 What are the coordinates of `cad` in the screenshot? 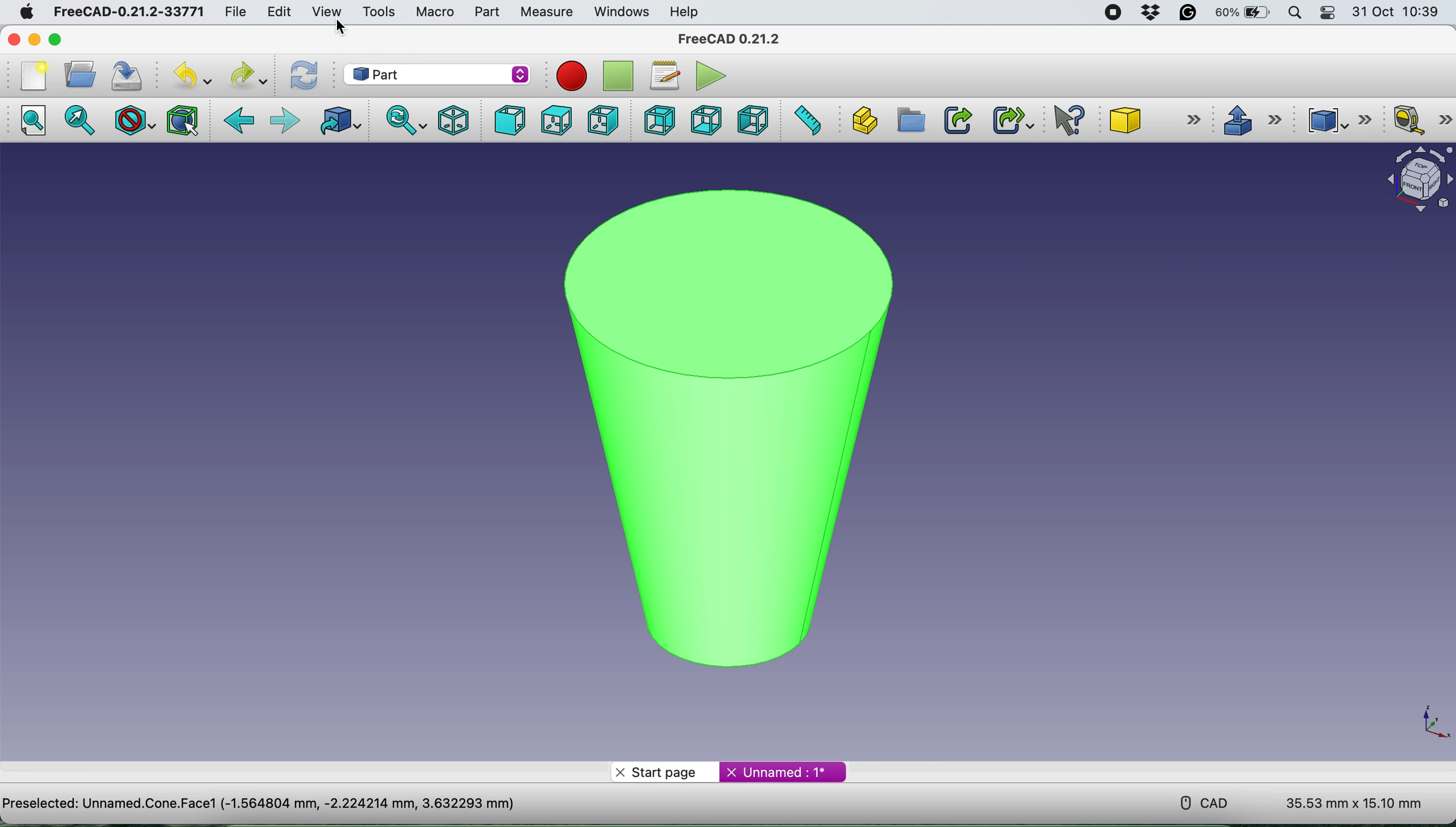 It's located at (1196, 801).